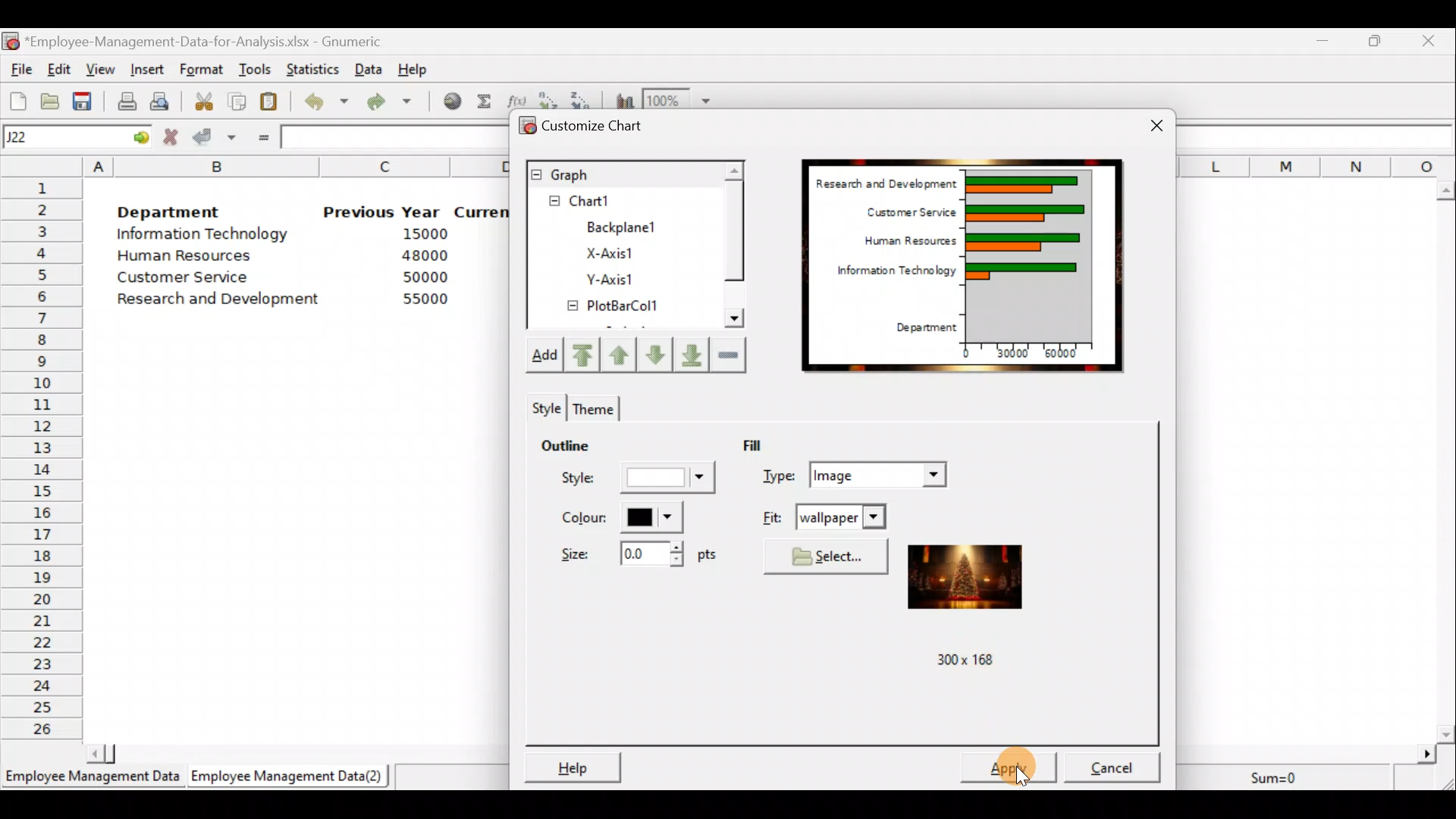  What do you see at coordinates (597, 406) in the screenshot?
I see `Theme` at bounding box center [597, 406].